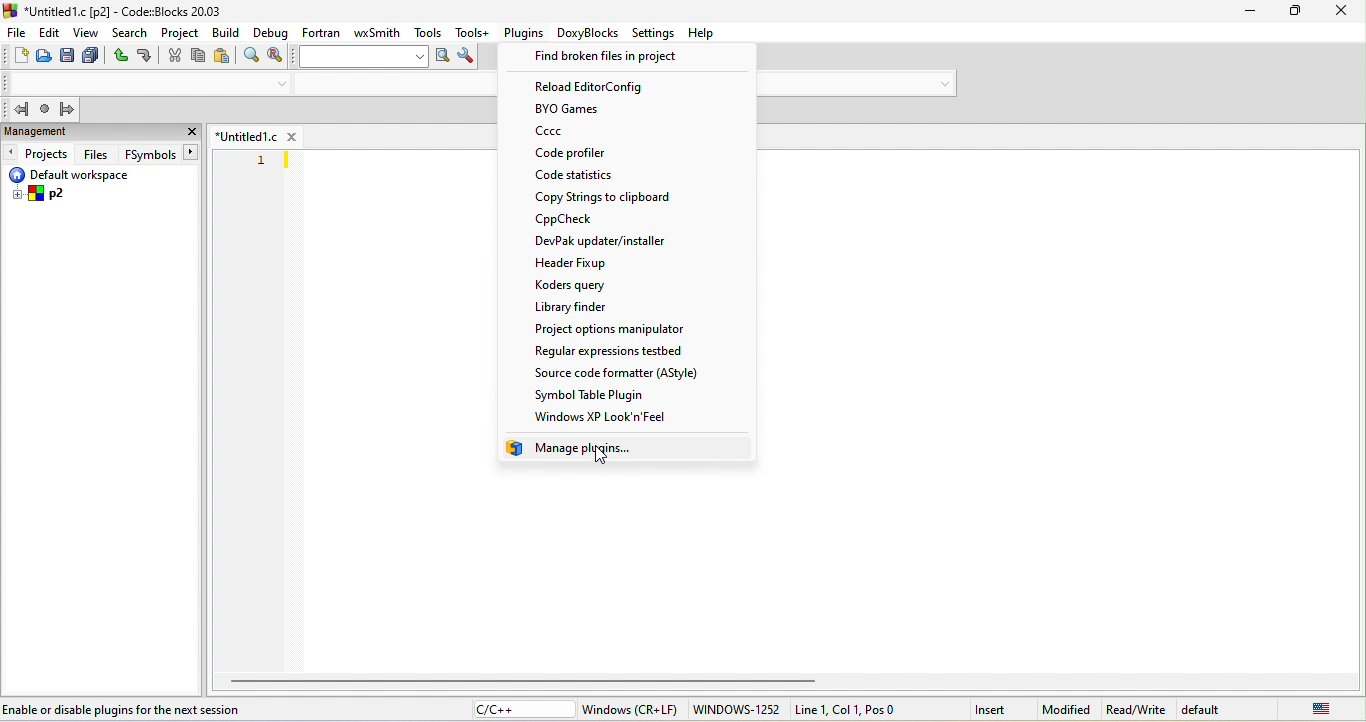 The width and height of the screenshot is (1366, 722). I want to click on redo, so click(148, 56).